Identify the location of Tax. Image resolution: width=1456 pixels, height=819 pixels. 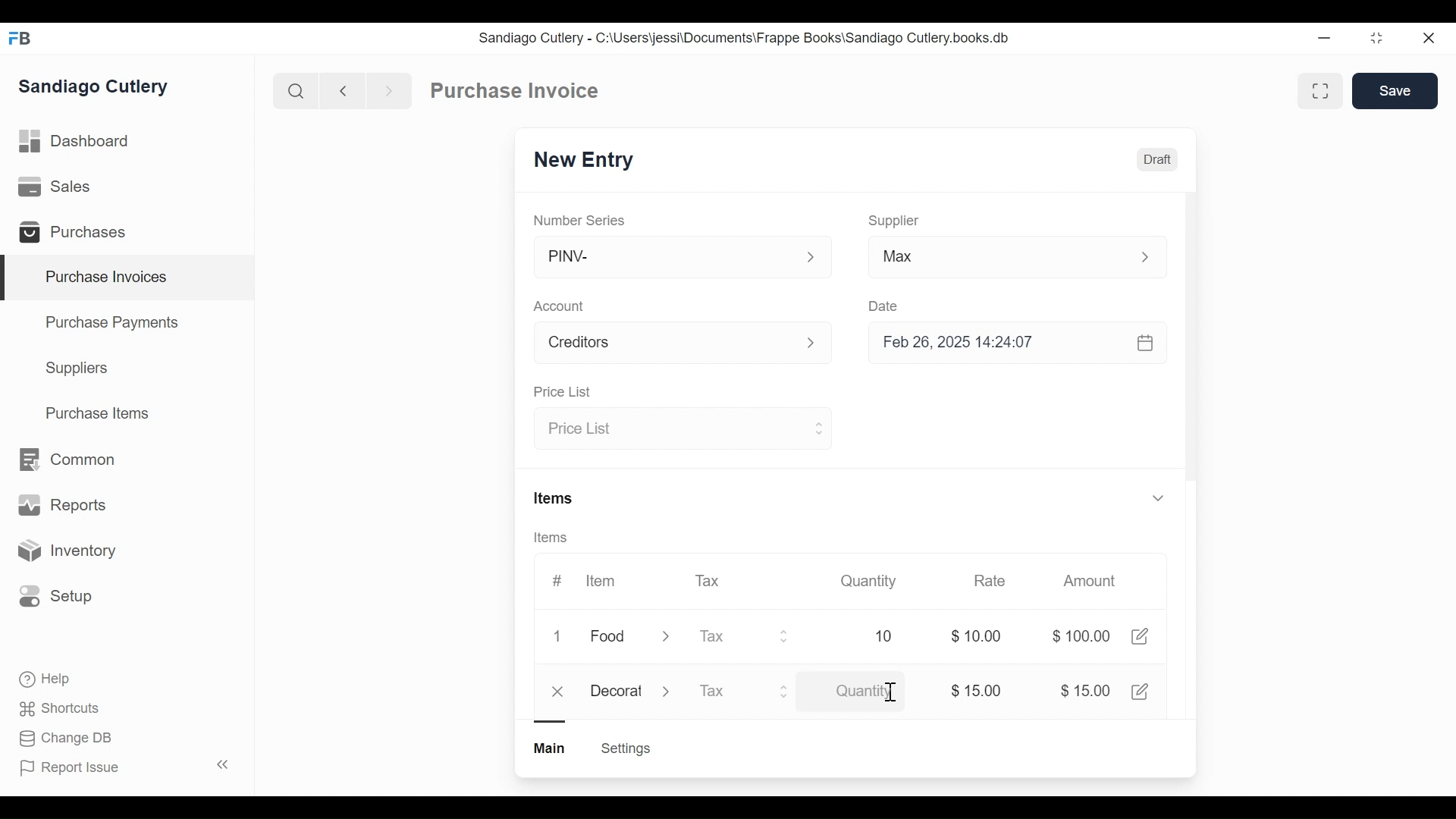
(730, 636).